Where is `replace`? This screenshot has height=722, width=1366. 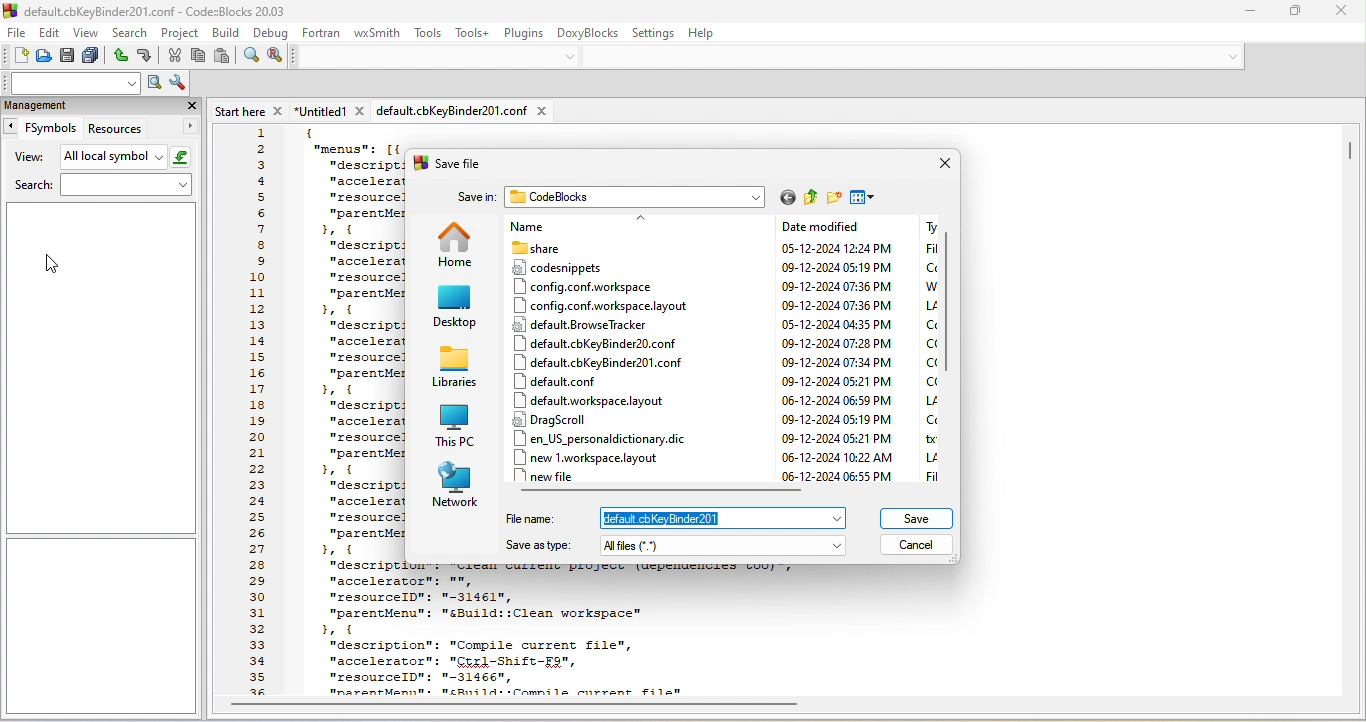 replace is located at coordinates (276, 56).